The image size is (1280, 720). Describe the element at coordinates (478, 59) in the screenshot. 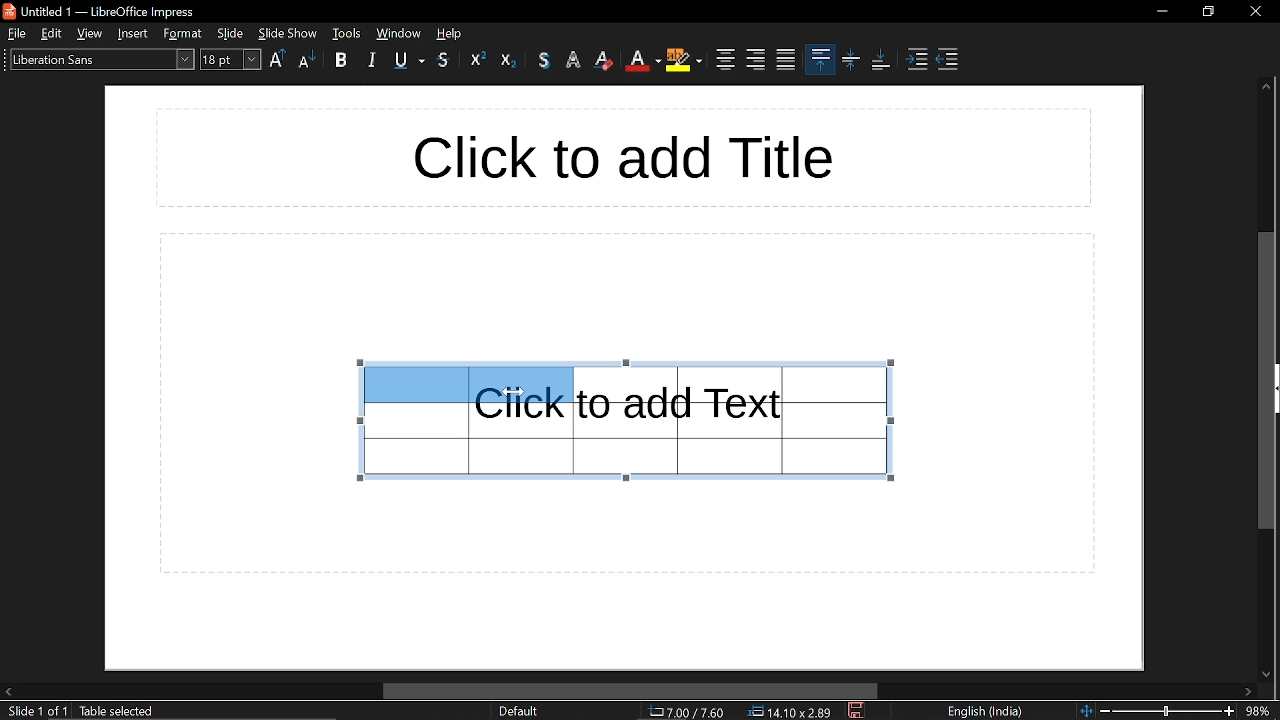

I see `superscript` at that location.